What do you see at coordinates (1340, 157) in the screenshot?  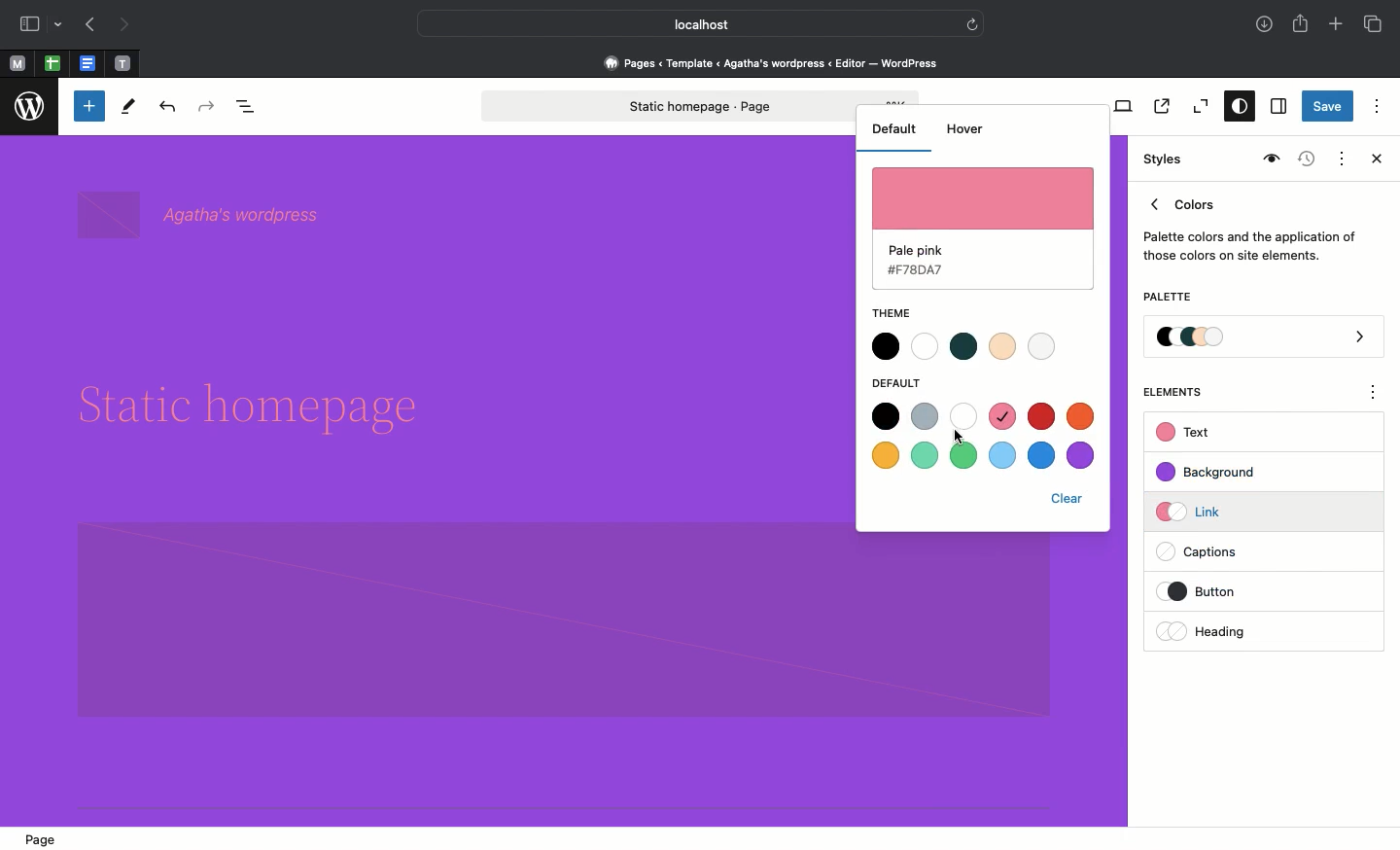 I see `Actions` at bounding box center [1340, 157].